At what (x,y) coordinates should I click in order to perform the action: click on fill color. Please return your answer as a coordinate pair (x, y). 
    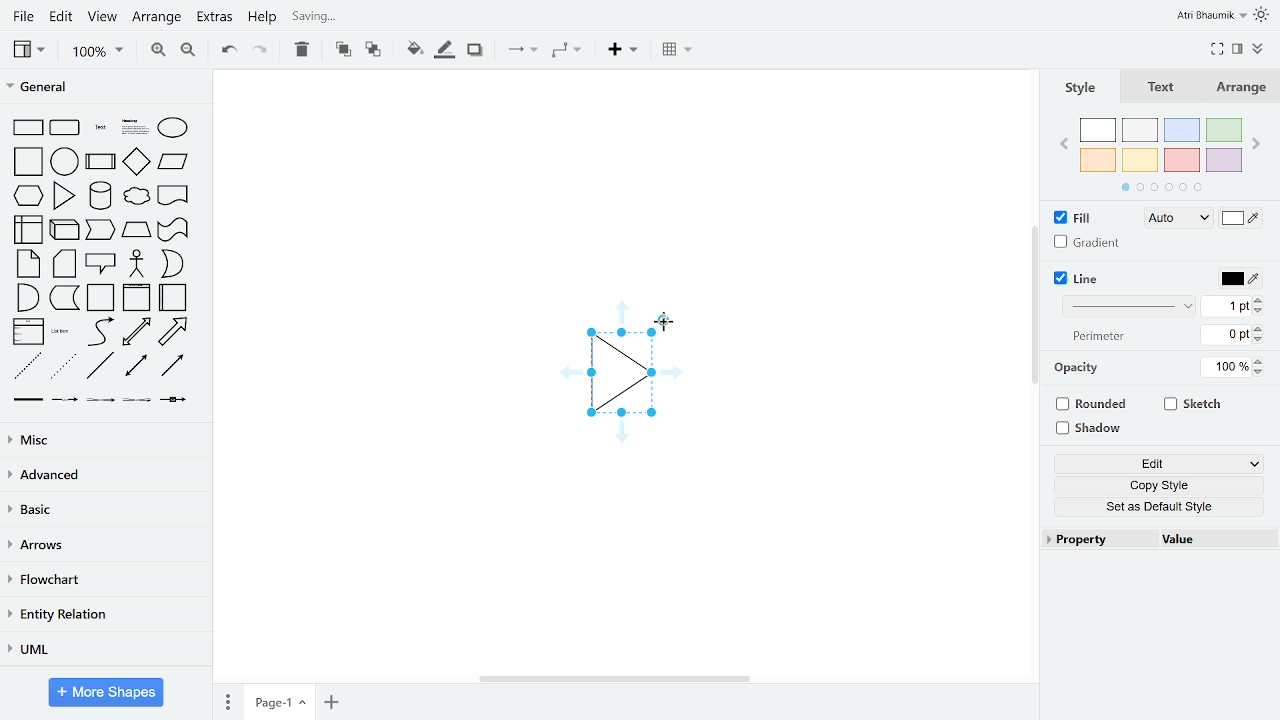
    Looking at the image, I should click on (412, 48).